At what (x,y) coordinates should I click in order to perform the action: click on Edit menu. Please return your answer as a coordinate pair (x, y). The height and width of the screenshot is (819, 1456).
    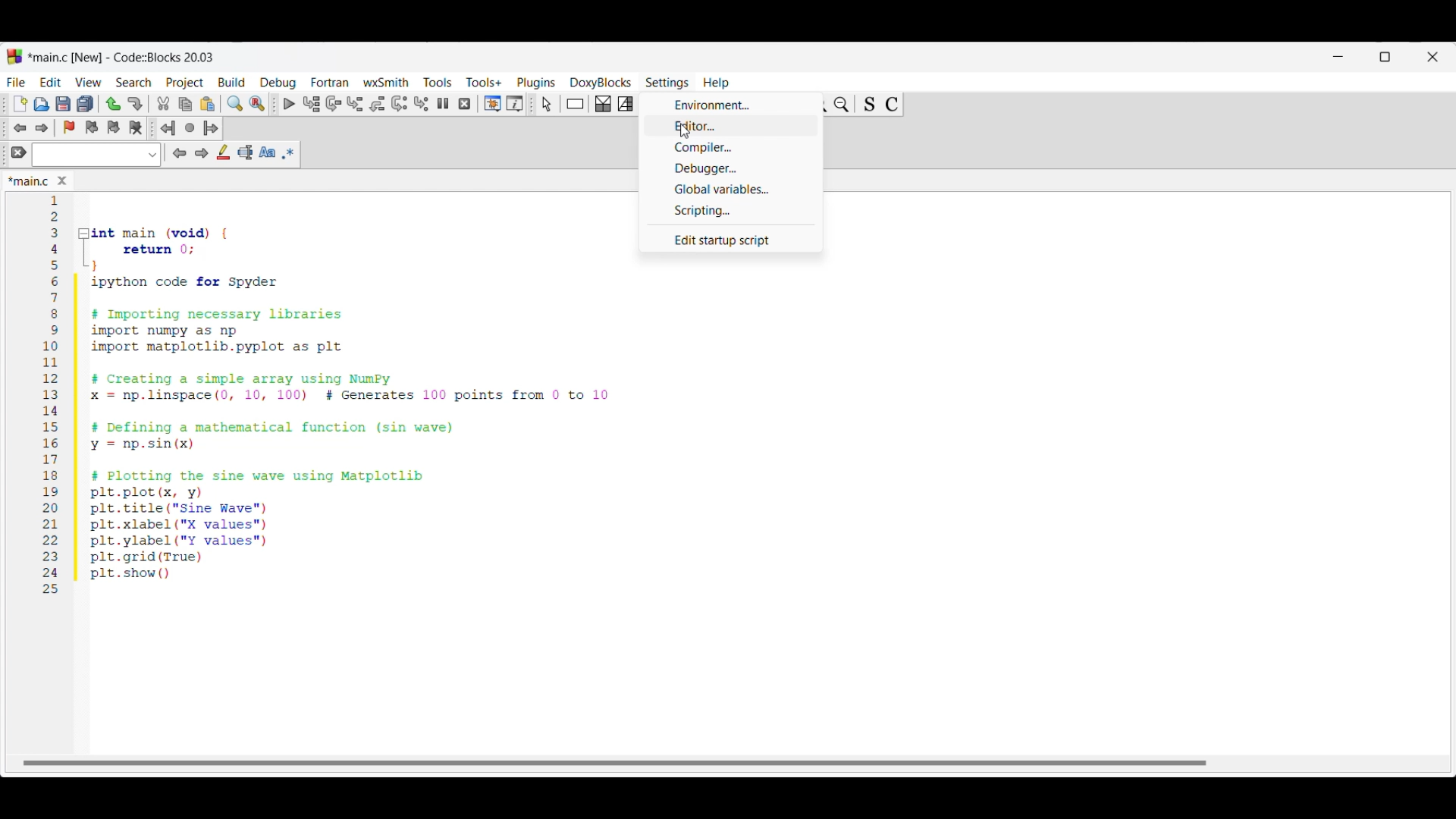
    Looking at the image, I should click on (52, 82).